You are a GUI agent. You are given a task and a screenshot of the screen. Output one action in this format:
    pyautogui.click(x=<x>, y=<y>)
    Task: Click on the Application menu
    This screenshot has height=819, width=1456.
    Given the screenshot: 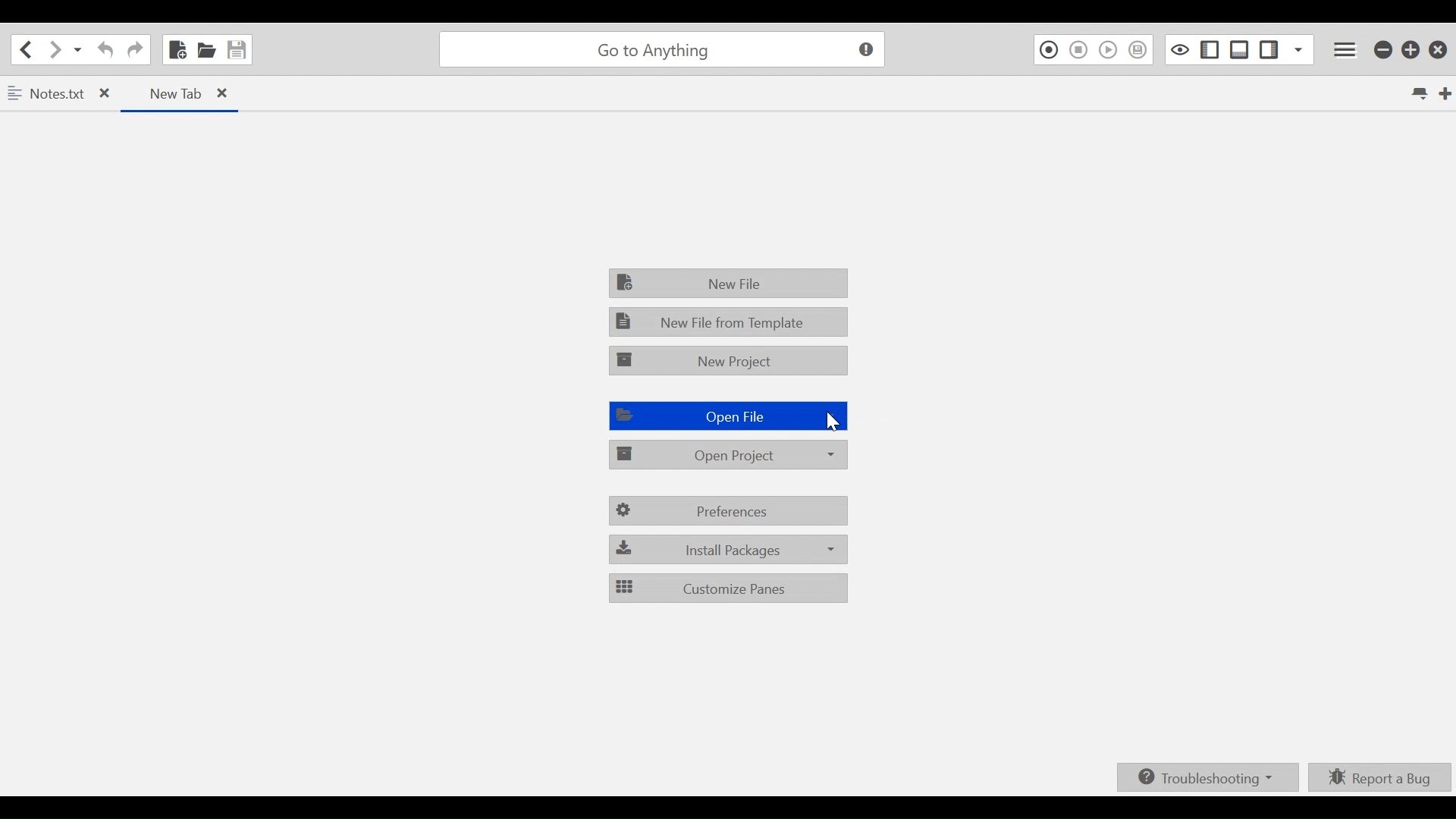 What is the action you would take?
    pyautogui.click(x=1347, y=50)
    